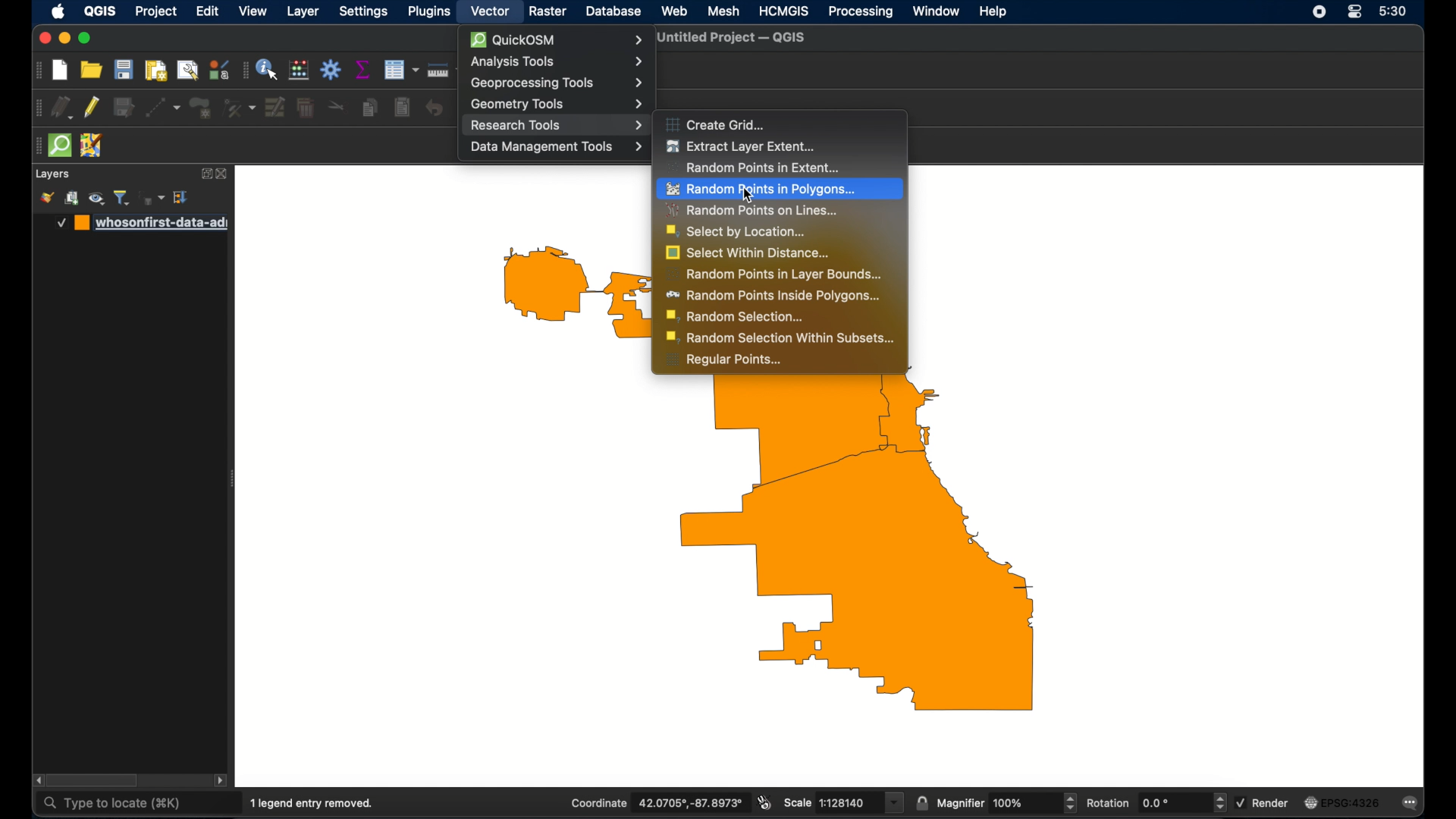  What do you see at coordinates (751, 196) in the screenshot?
I see `Cursor` at bounding box center [751, 196].